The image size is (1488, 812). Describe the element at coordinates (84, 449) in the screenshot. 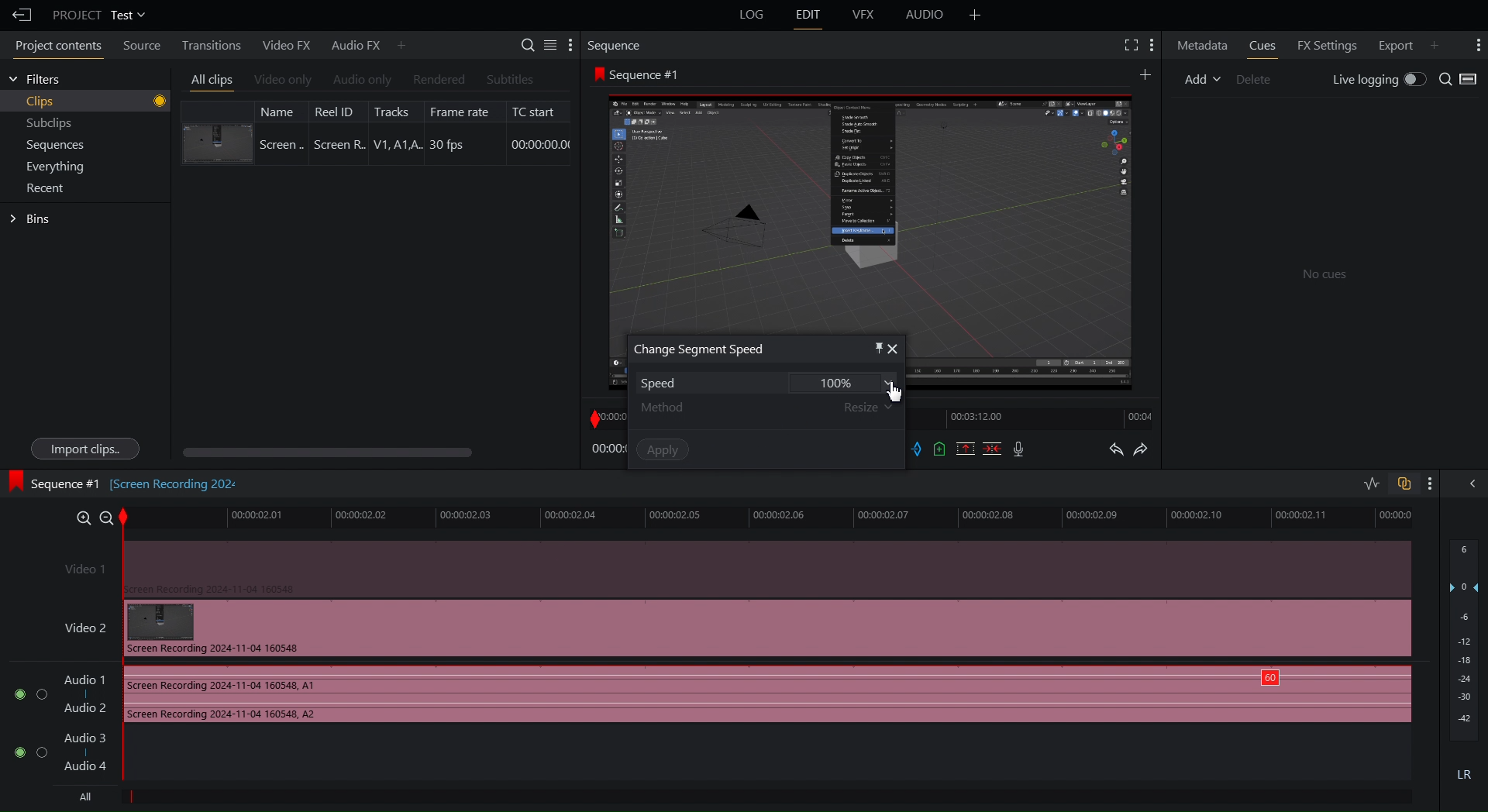

I see `Import clips` at that location.